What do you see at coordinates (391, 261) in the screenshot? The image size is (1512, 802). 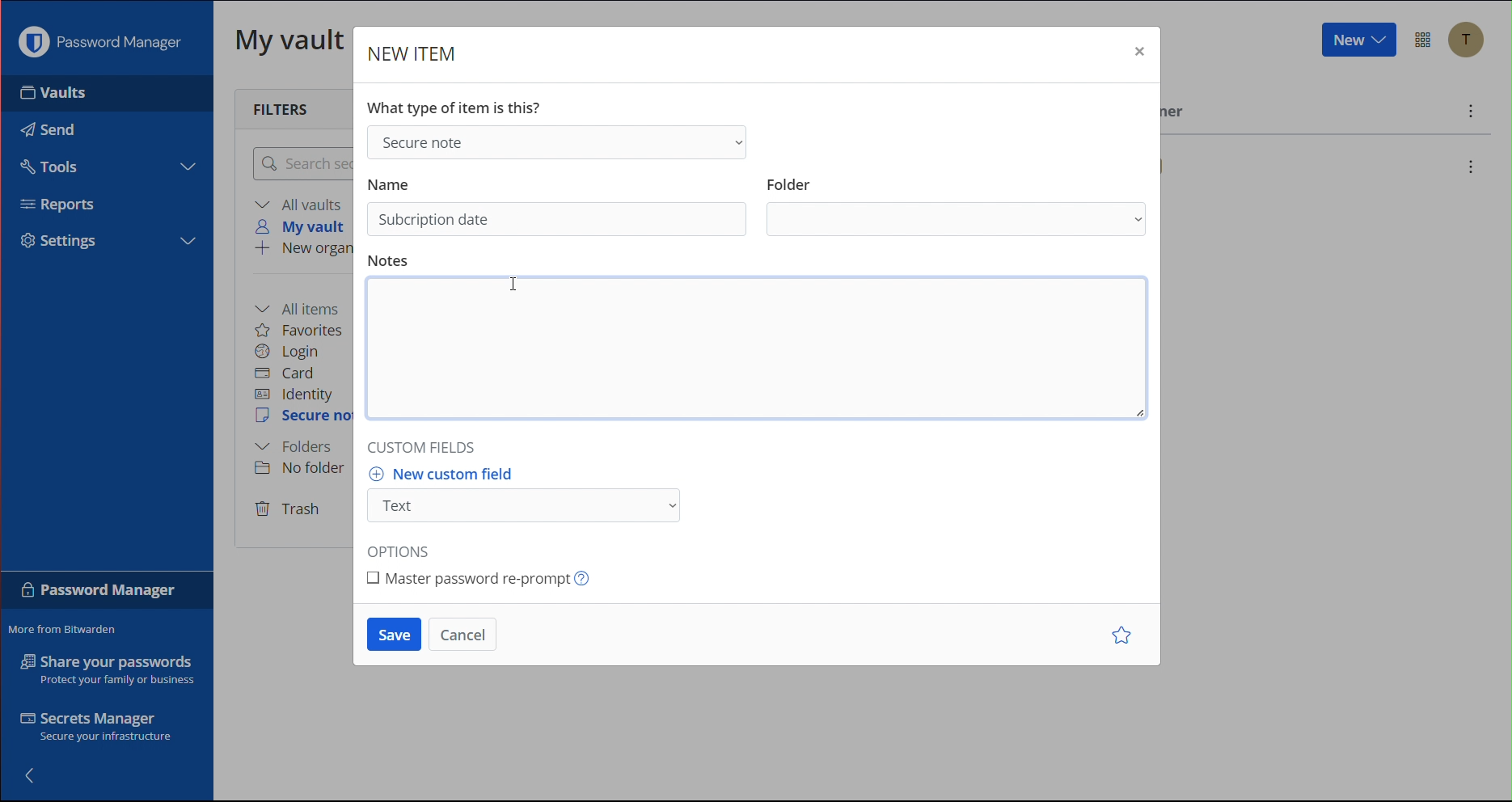 I see `Notes` at bounding box center [391, 261].